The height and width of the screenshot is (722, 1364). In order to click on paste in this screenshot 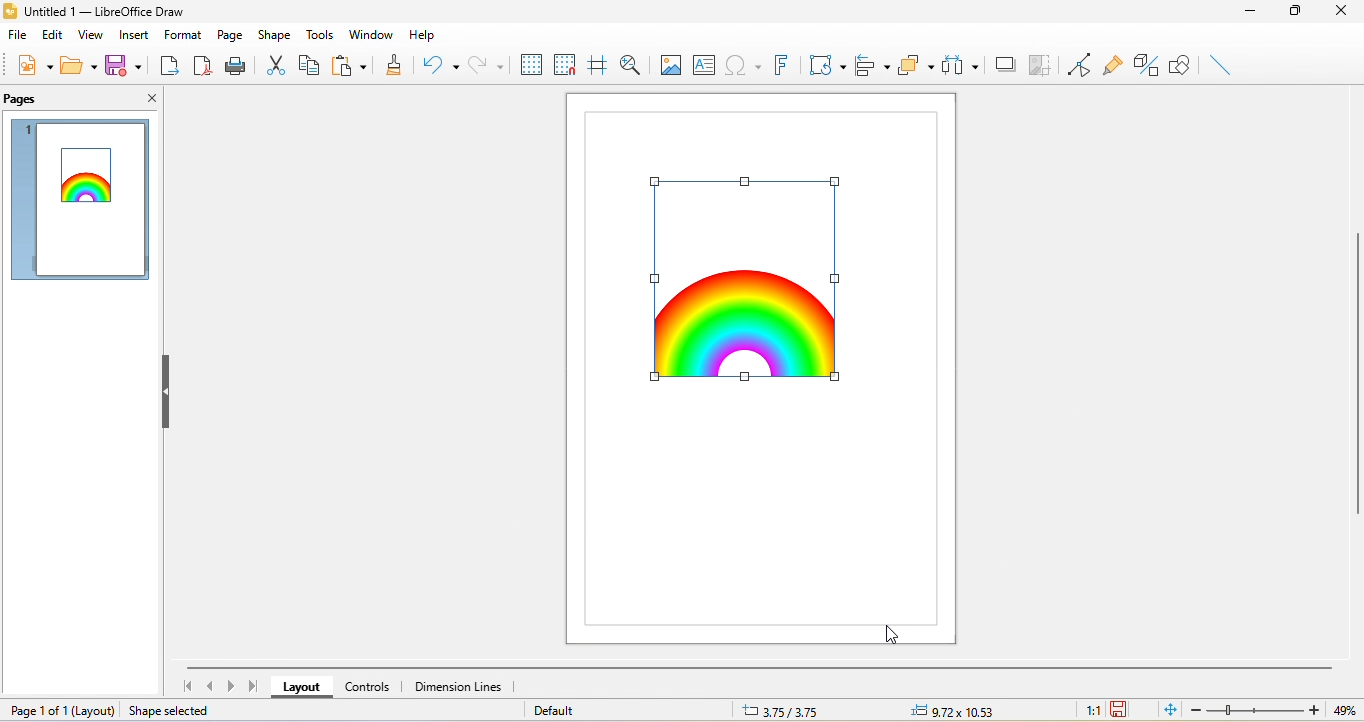, I will do `click(350, 62)`.